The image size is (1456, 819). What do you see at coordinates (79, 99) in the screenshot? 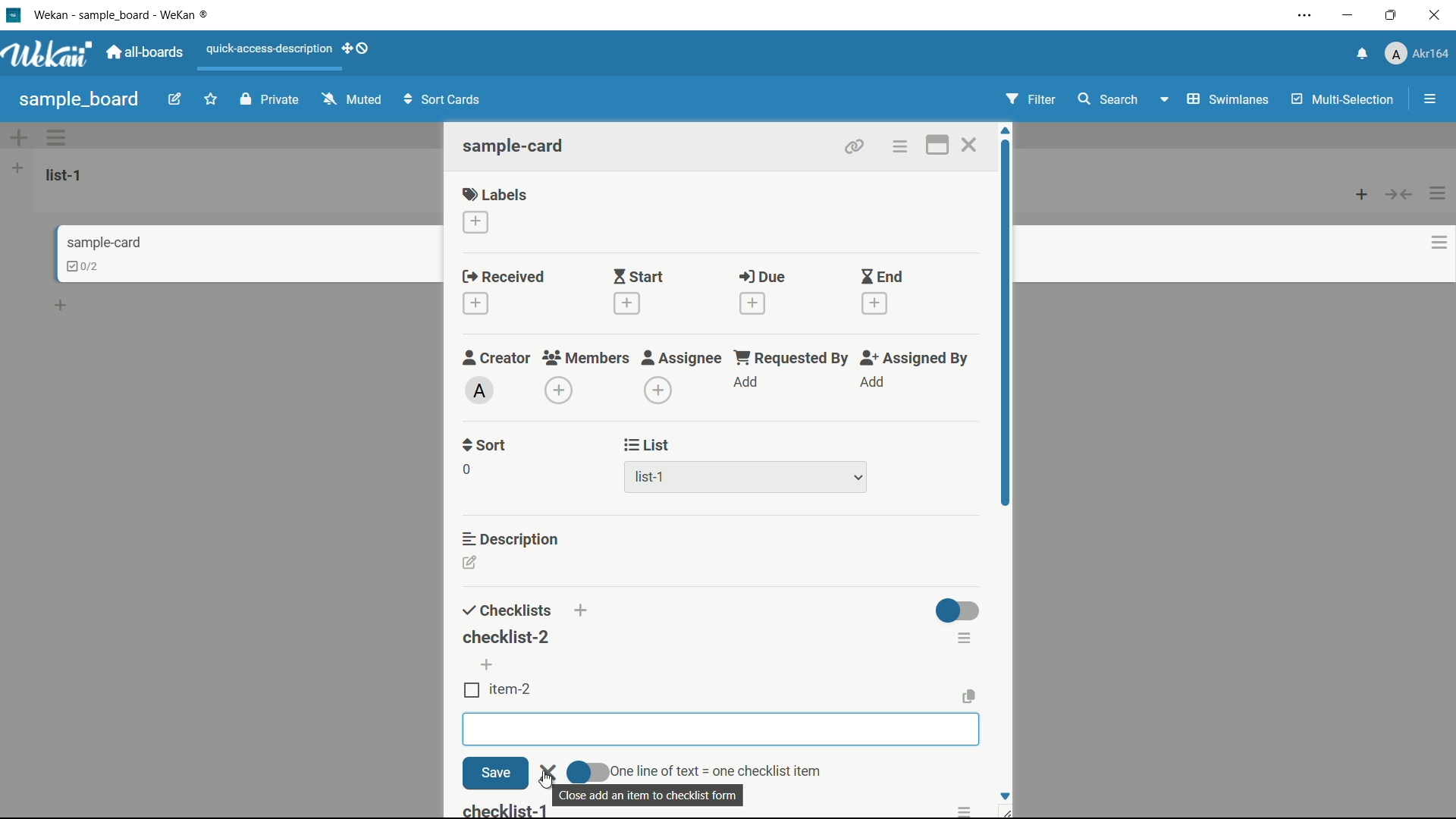
I see `board name` at bounding box center [79, 99].